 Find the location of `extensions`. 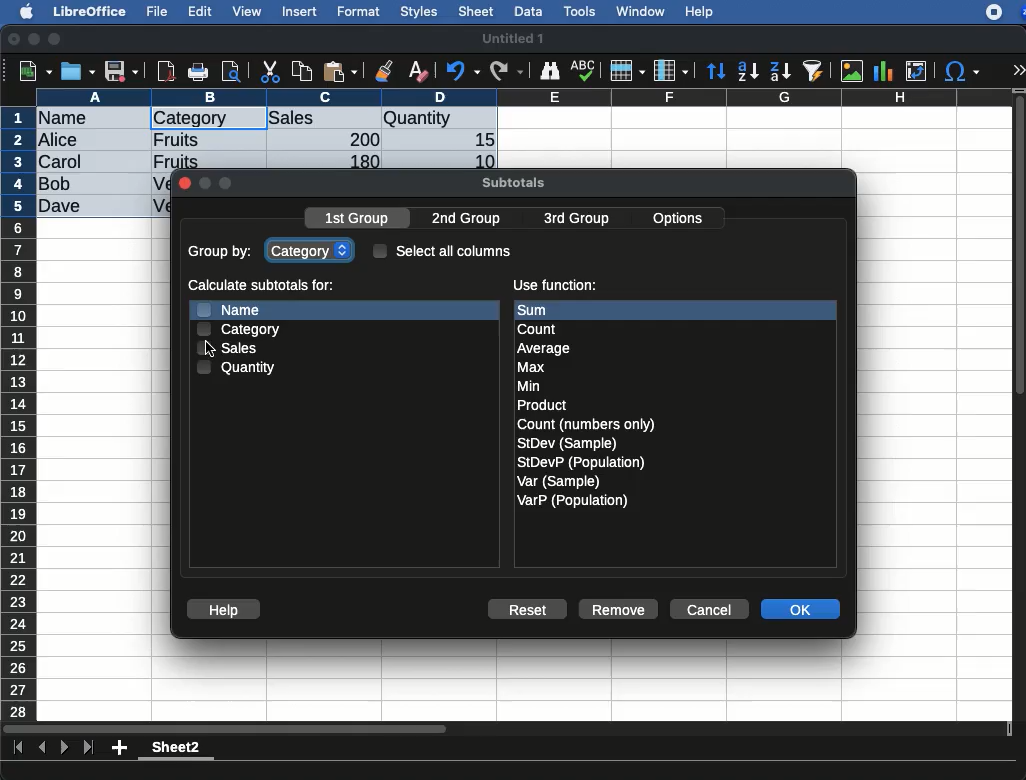

extensions is located at coordinates (1005, 12).